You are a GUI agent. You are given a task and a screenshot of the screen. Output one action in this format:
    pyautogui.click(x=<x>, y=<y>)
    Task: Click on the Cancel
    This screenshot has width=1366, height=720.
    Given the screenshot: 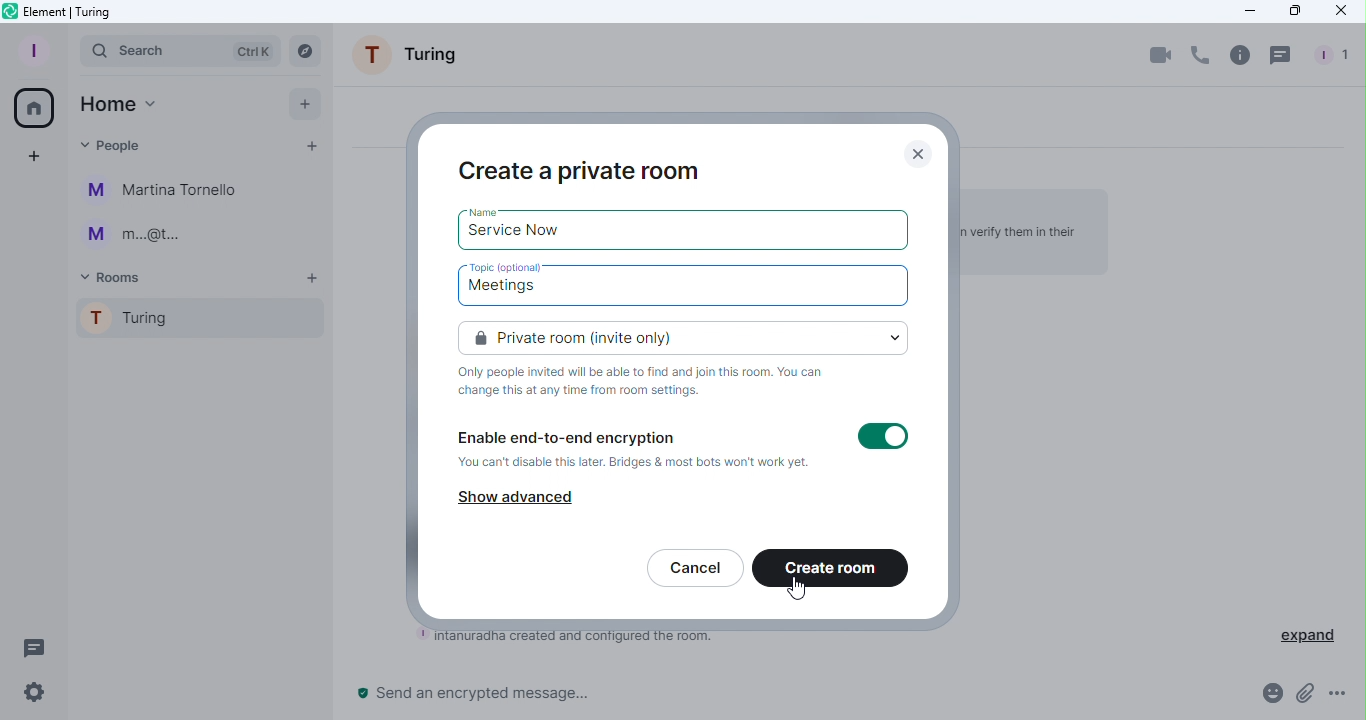 What is the action you would take?
    pyautogui.click(x=694, y=570)
    